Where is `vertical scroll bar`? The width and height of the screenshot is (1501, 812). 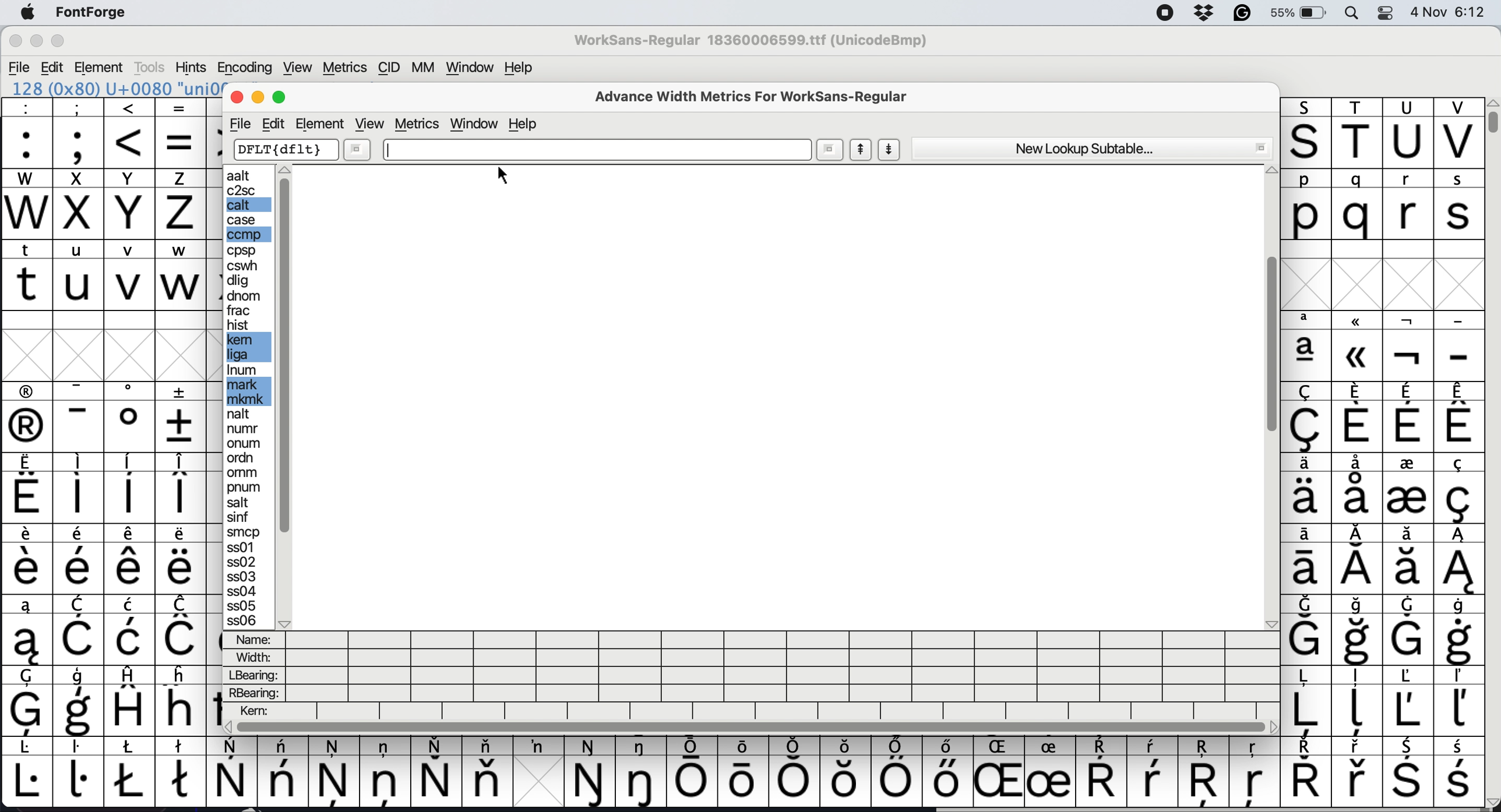 vertical scroll bar is located at coordinates (1274, 342).